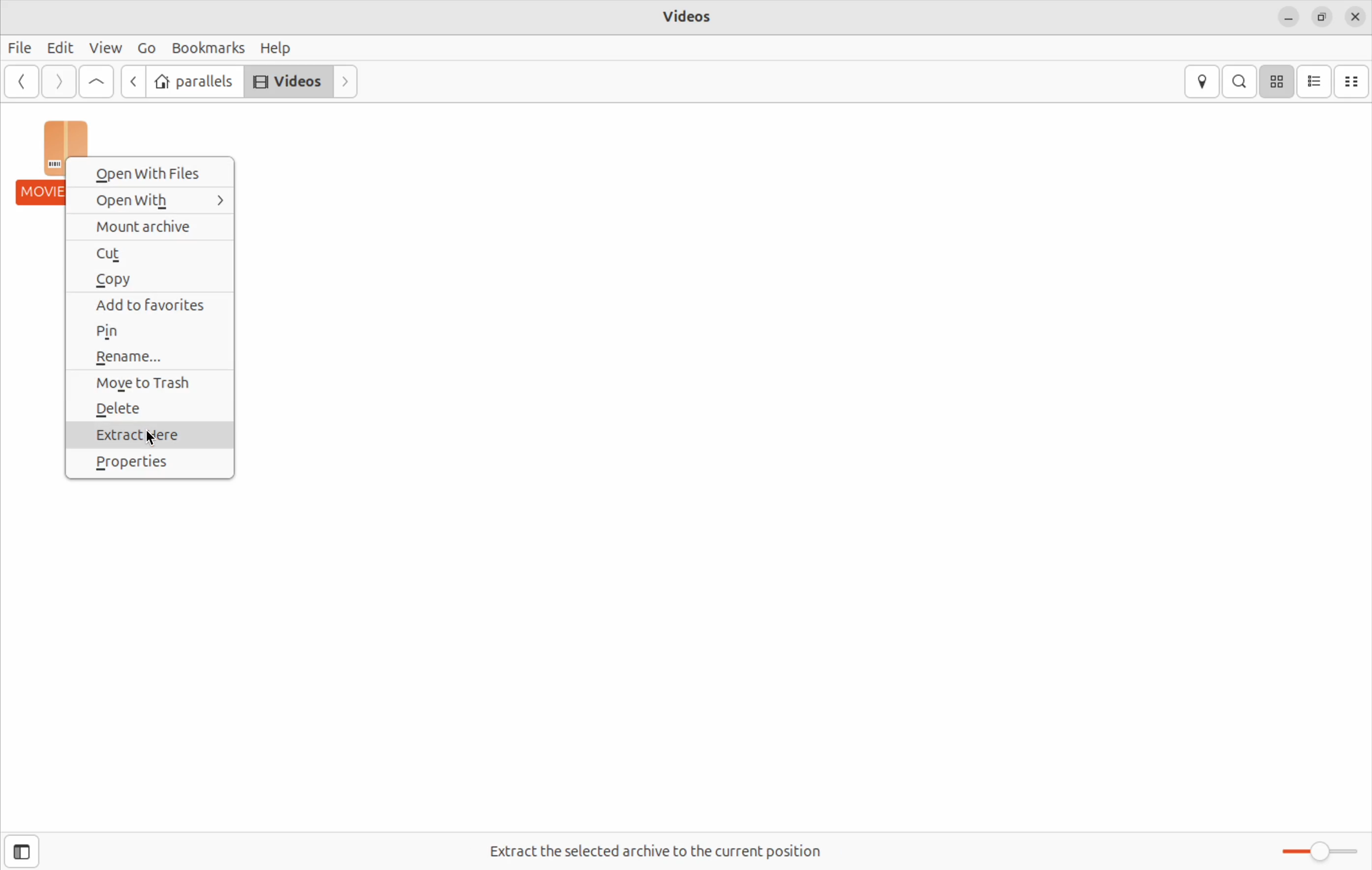 This screenshot has width=1372, height=870. Describe the element at coordinates (57, 47) in the screenshot. I see `Edit` at that location.